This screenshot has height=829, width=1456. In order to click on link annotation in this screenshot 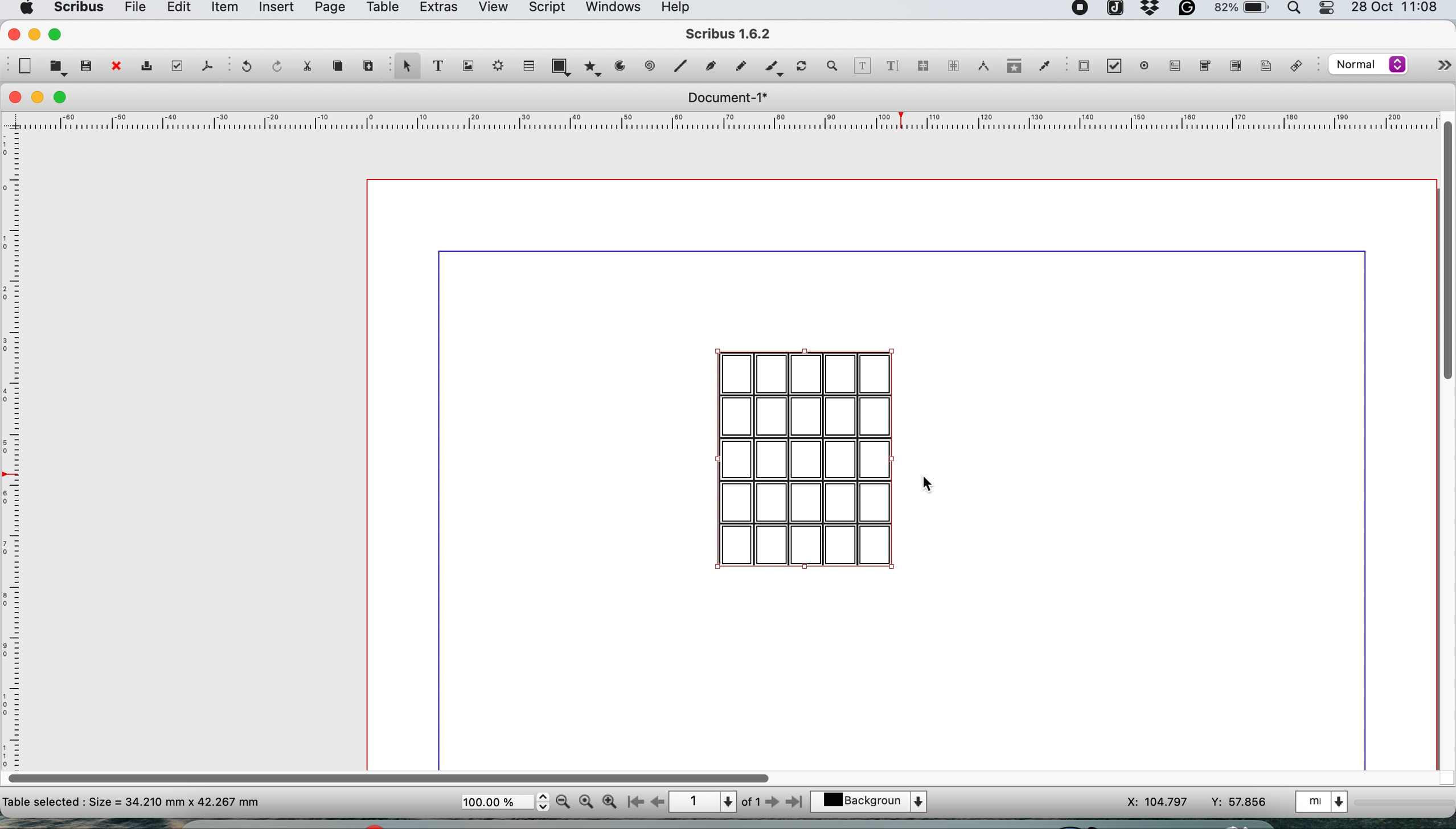, I will do `click(1299, 67)`.